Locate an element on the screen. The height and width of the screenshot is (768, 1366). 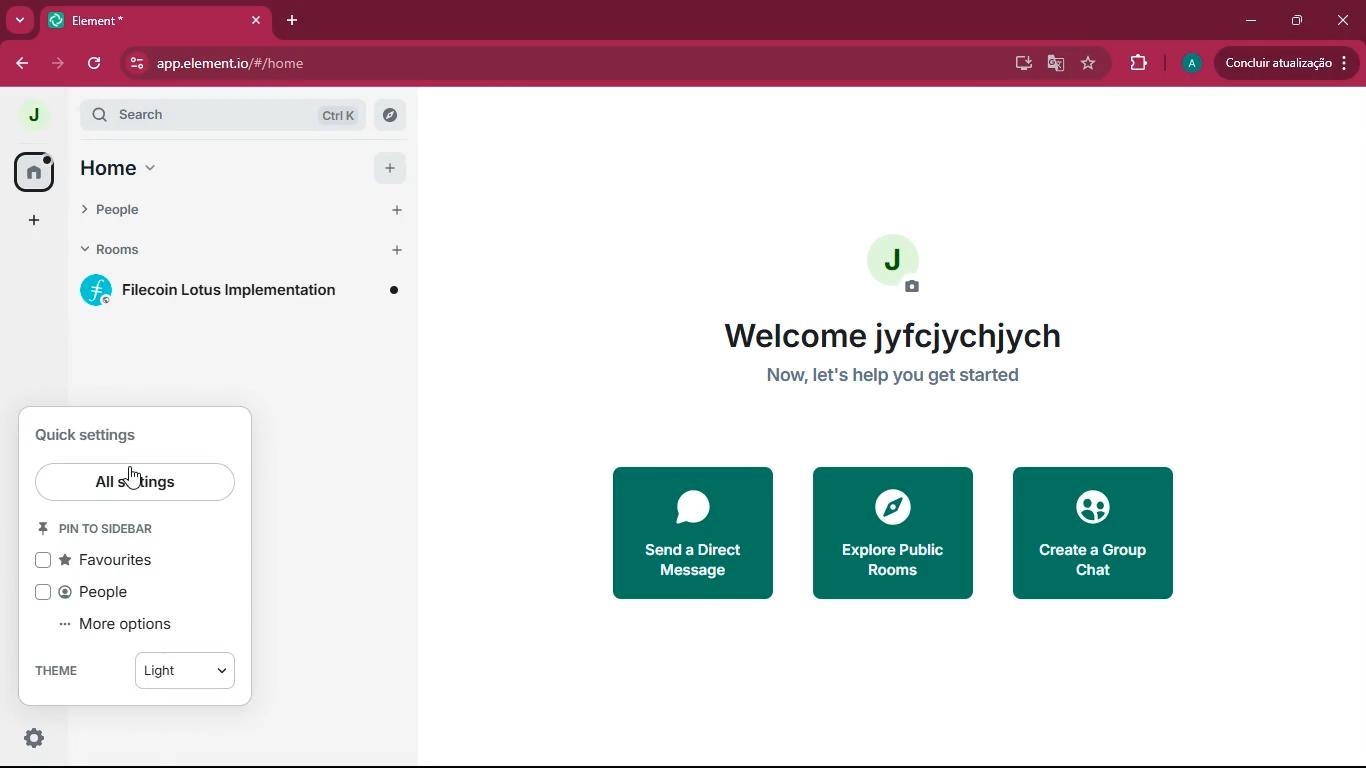
search is located at coordinates (233, 115).